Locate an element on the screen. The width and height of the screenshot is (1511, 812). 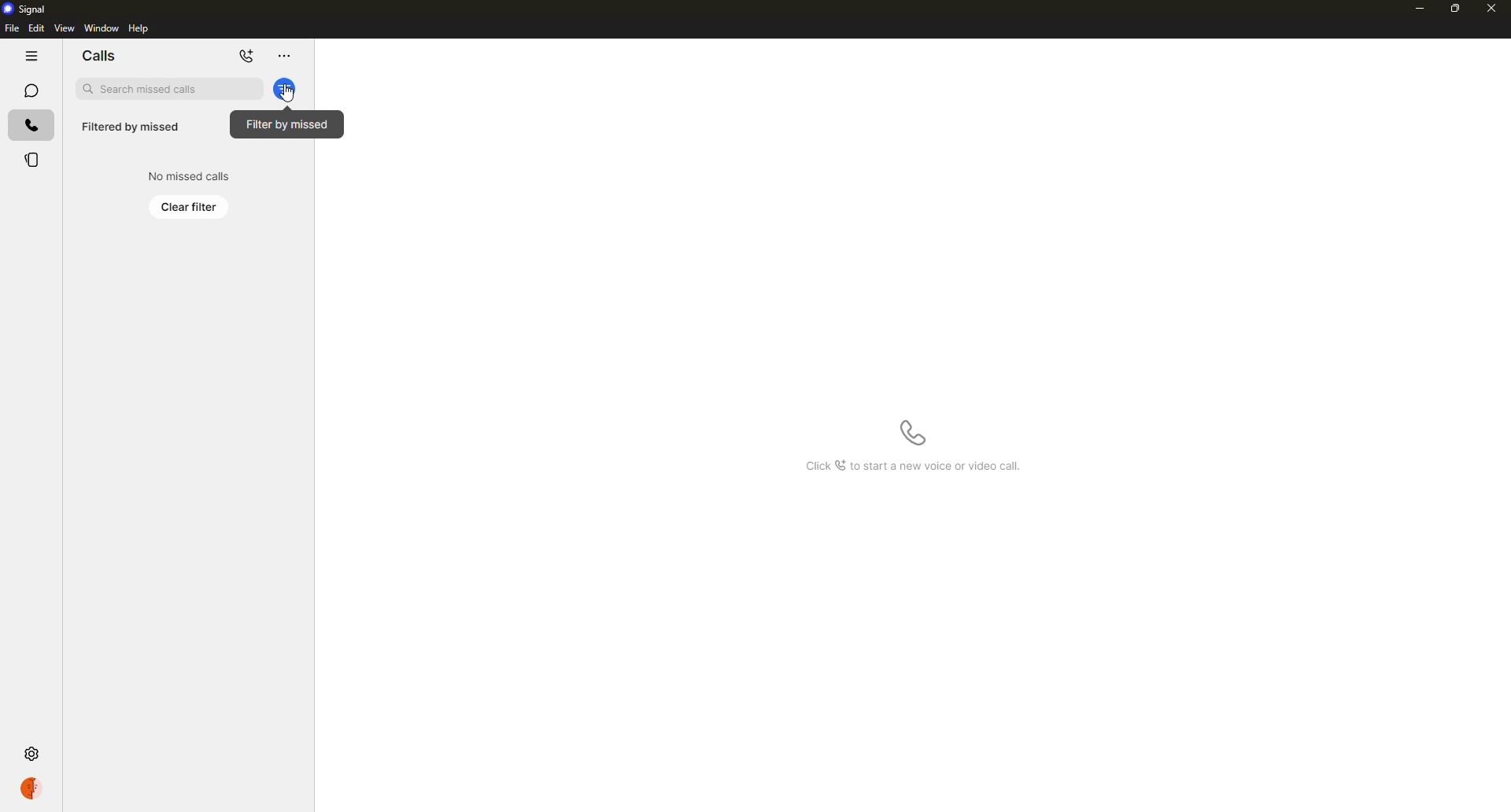
stories is located at coordinates (31, 159).